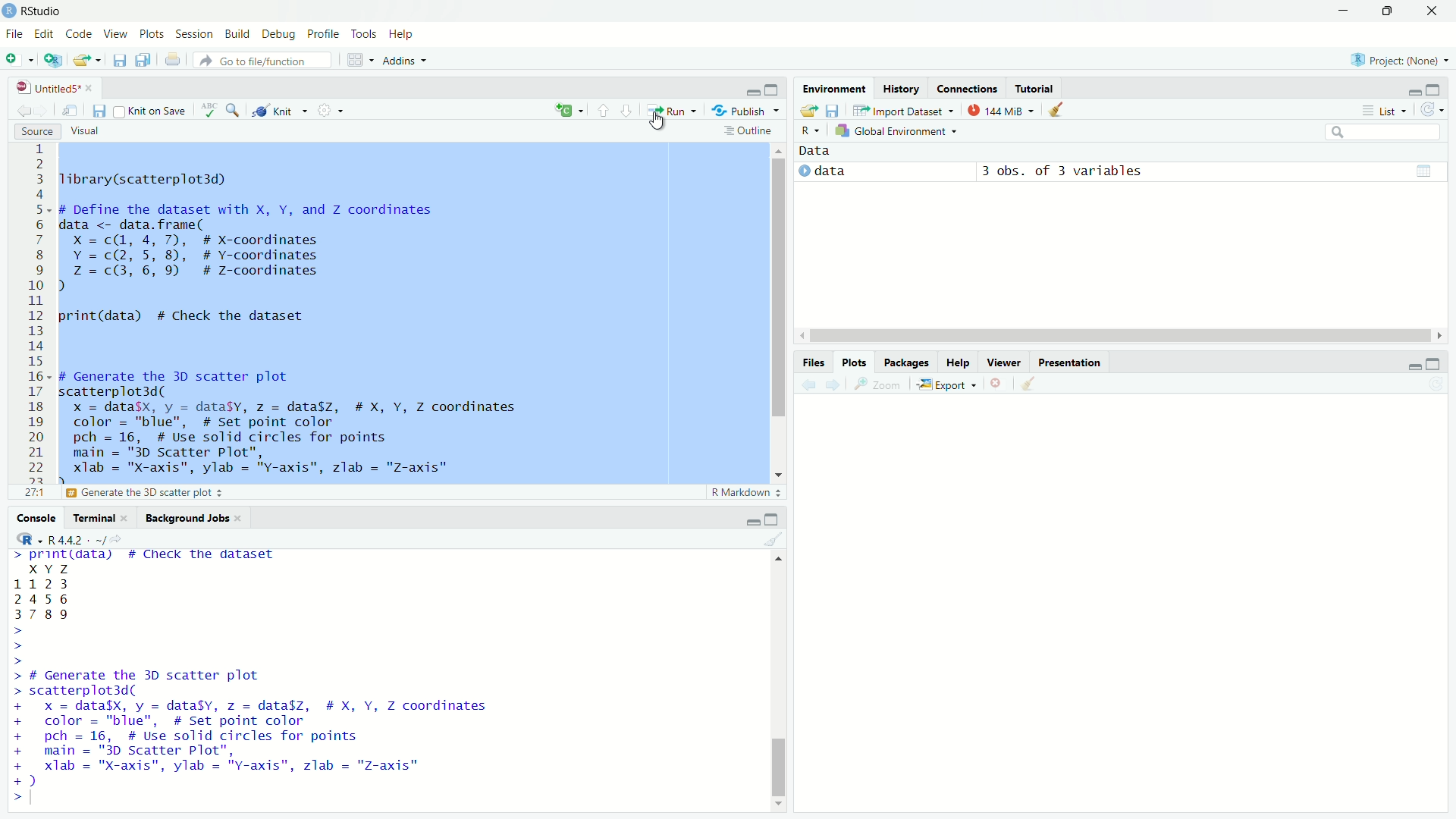  What do you see at coordinates (778, 149) in the screenshot?
I see `move top` at bounding box center [778, 149].